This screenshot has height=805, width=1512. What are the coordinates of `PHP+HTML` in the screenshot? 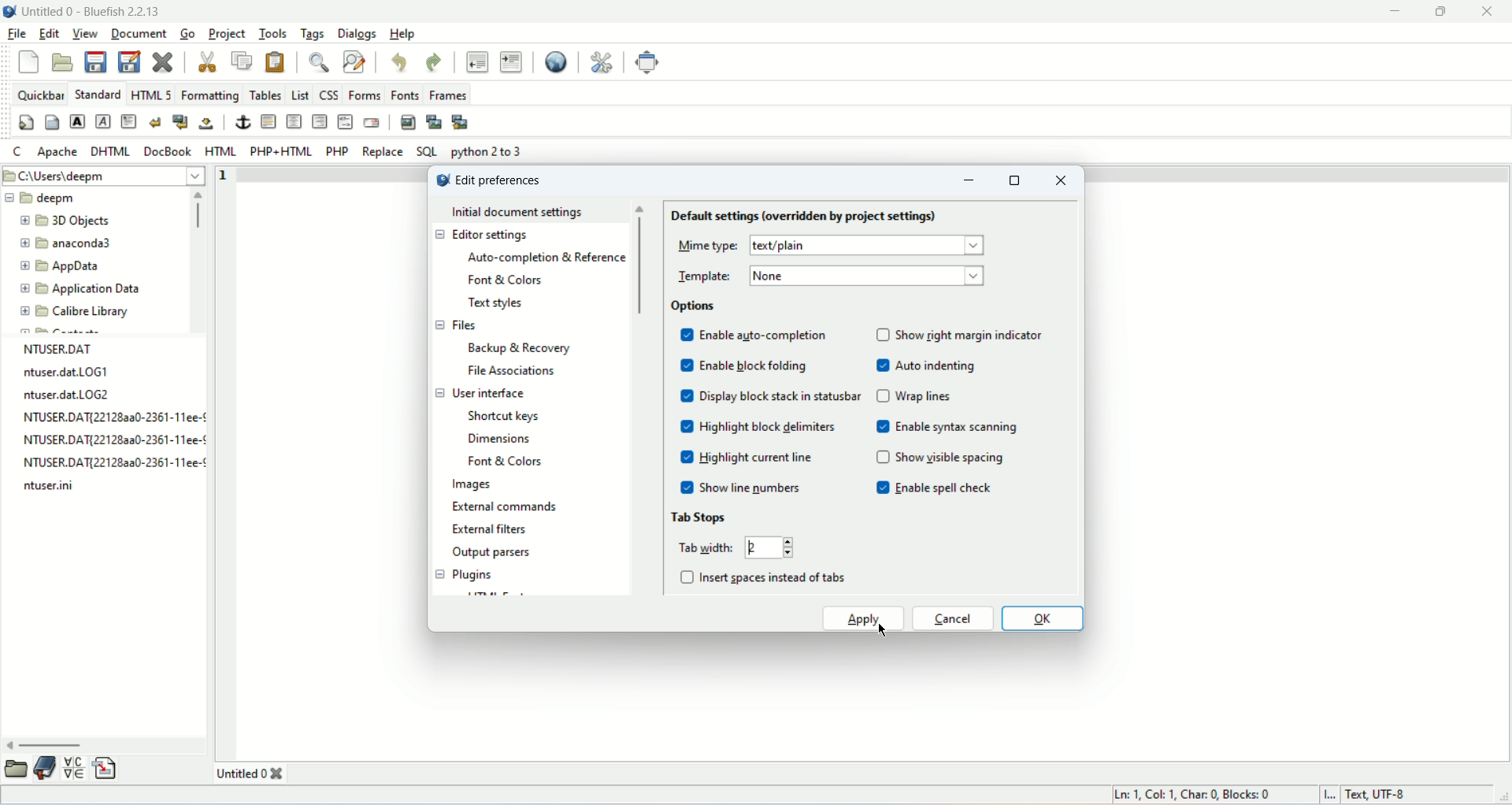 It's located at (281, 150).